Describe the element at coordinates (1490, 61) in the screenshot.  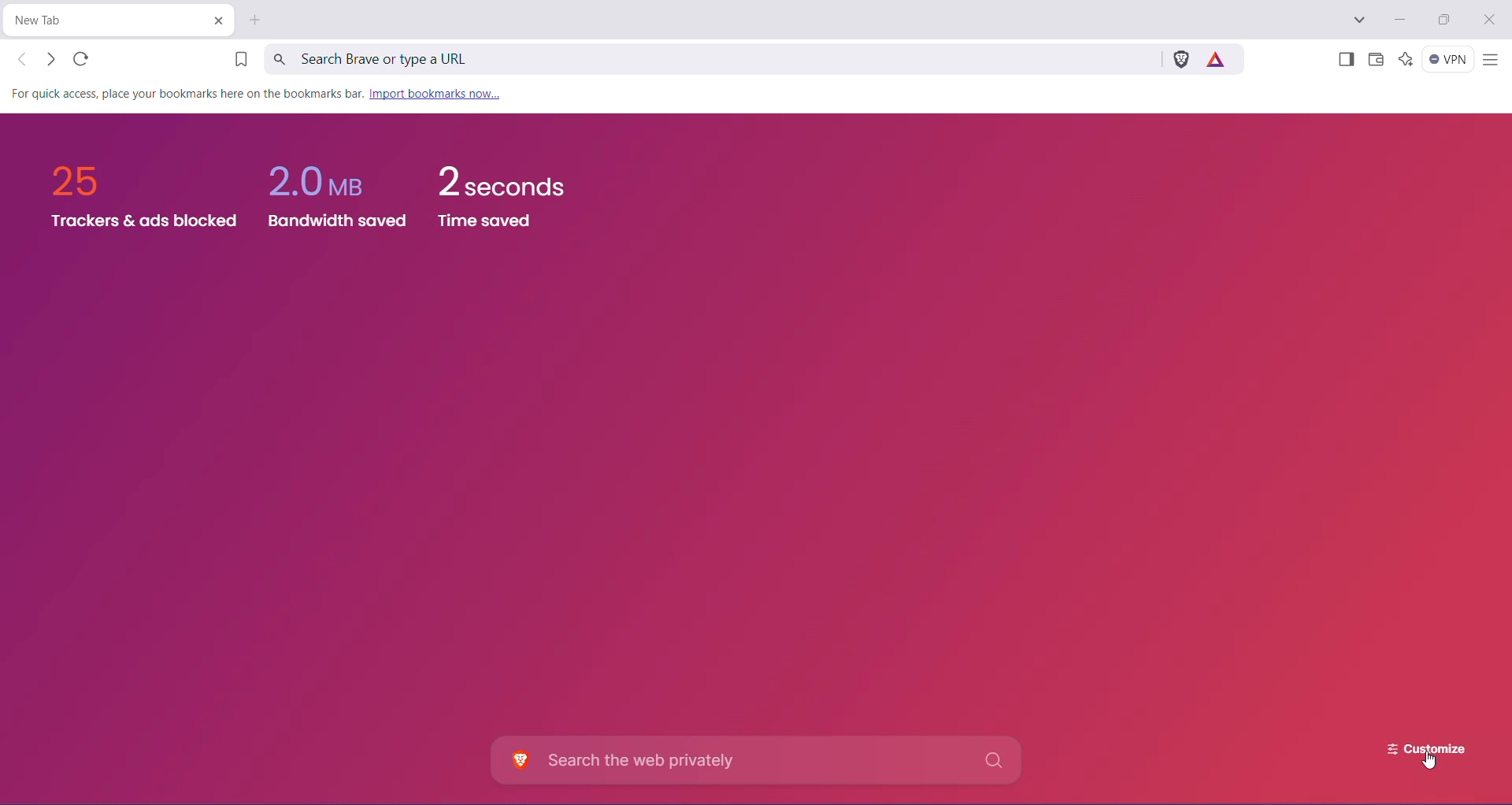
I see `Customize and control Brave` at that location.